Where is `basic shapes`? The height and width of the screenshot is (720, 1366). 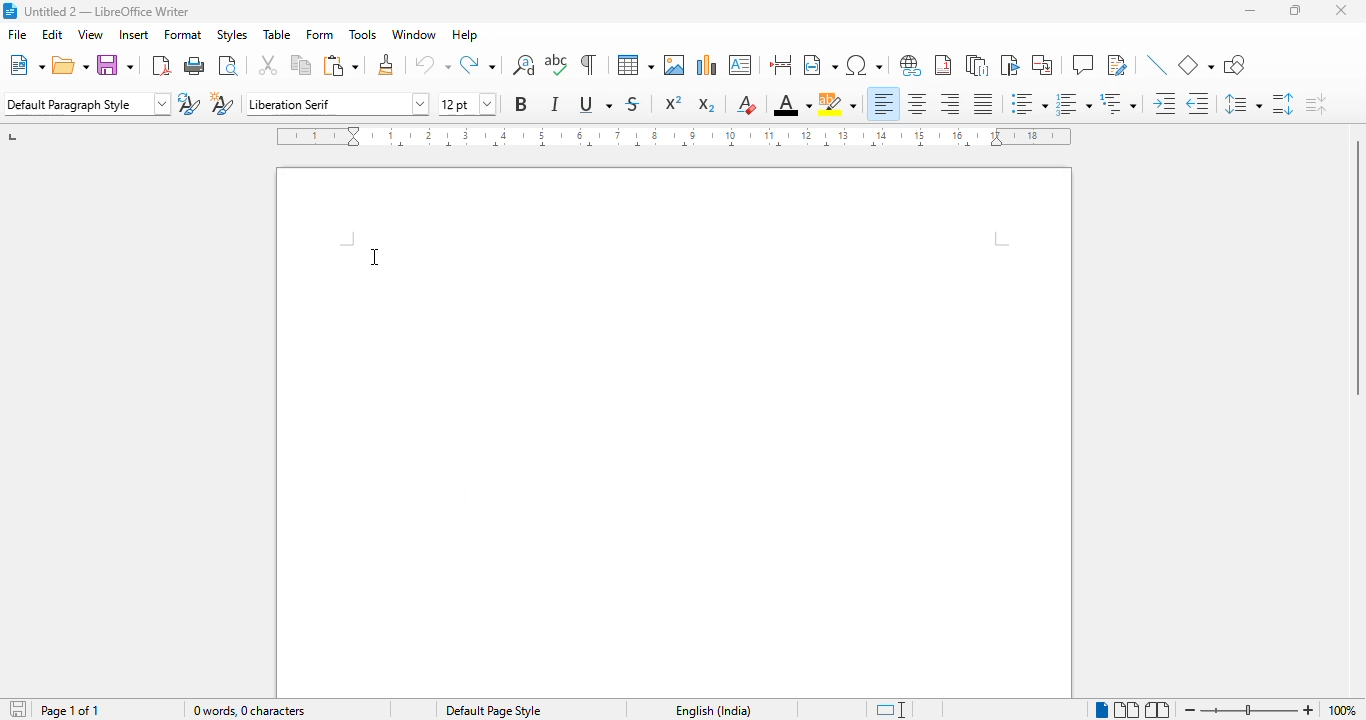
basic shapes is located at coordinates (1197, 65).